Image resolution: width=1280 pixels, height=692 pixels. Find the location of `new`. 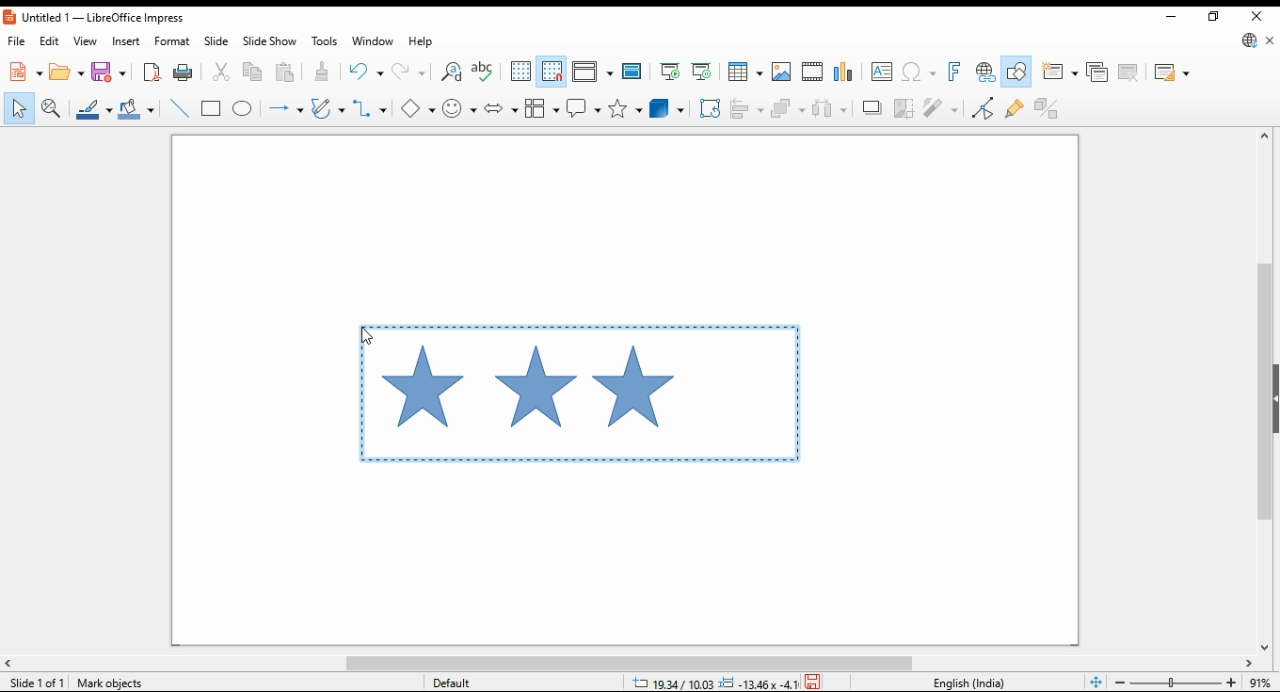

new is located at coordinates (23, 71).